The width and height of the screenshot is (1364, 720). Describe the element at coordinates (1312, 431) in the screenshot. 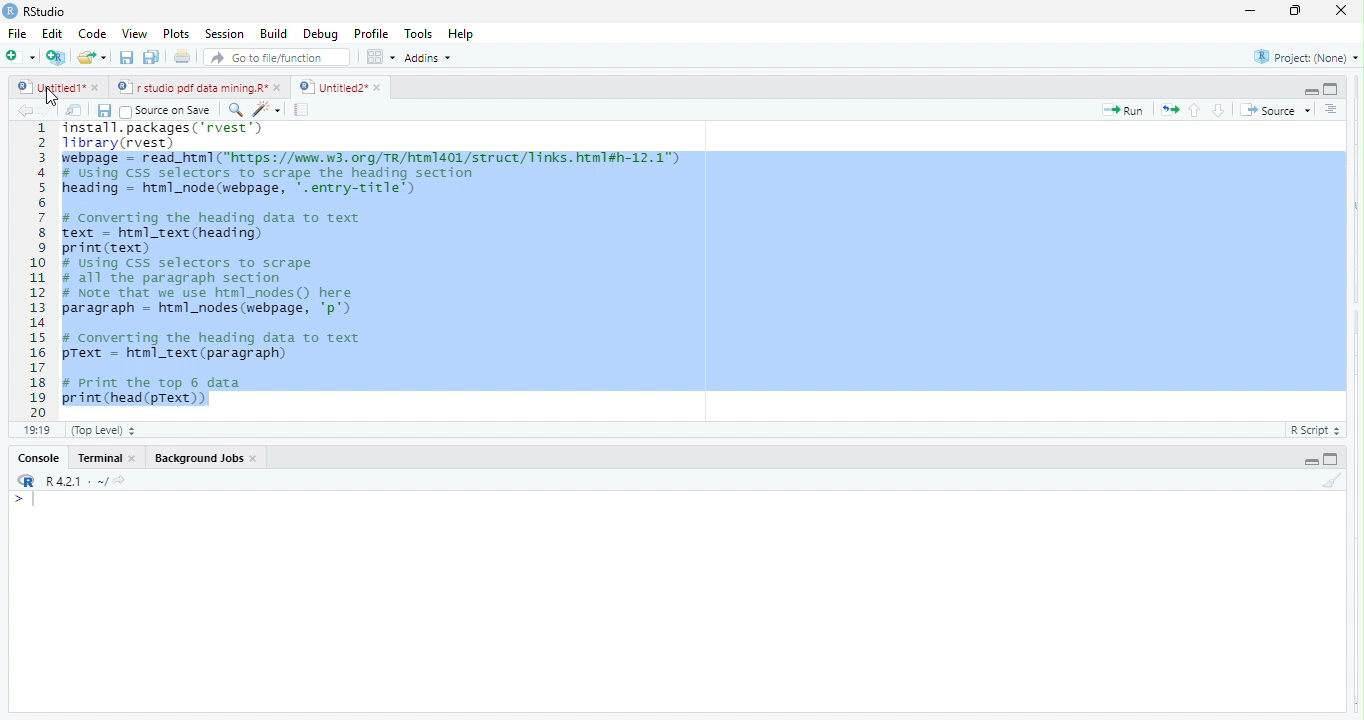

I see `R Script ` at that location.